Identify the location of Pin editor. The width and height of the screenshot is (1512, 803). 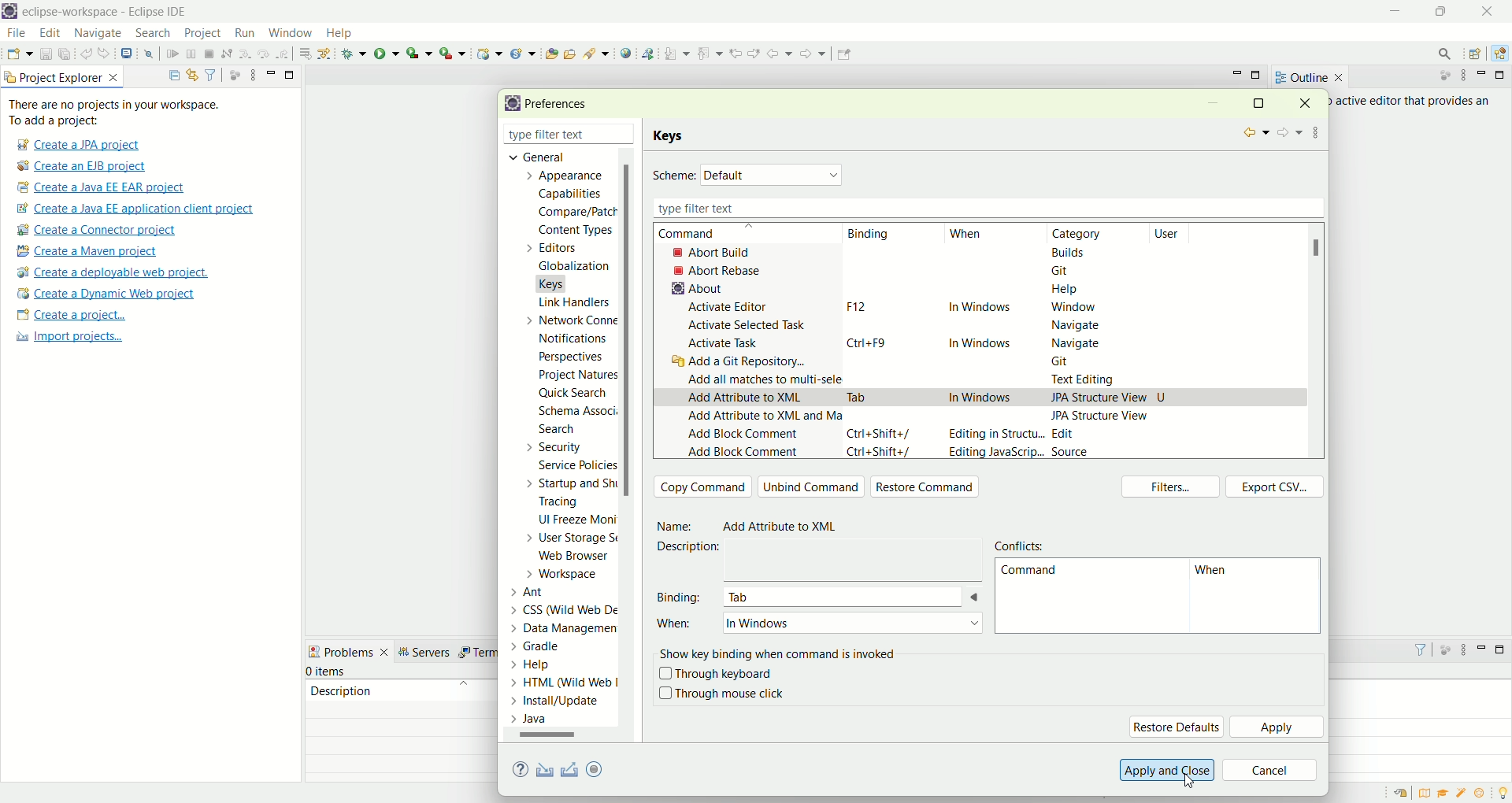
(842, 56).